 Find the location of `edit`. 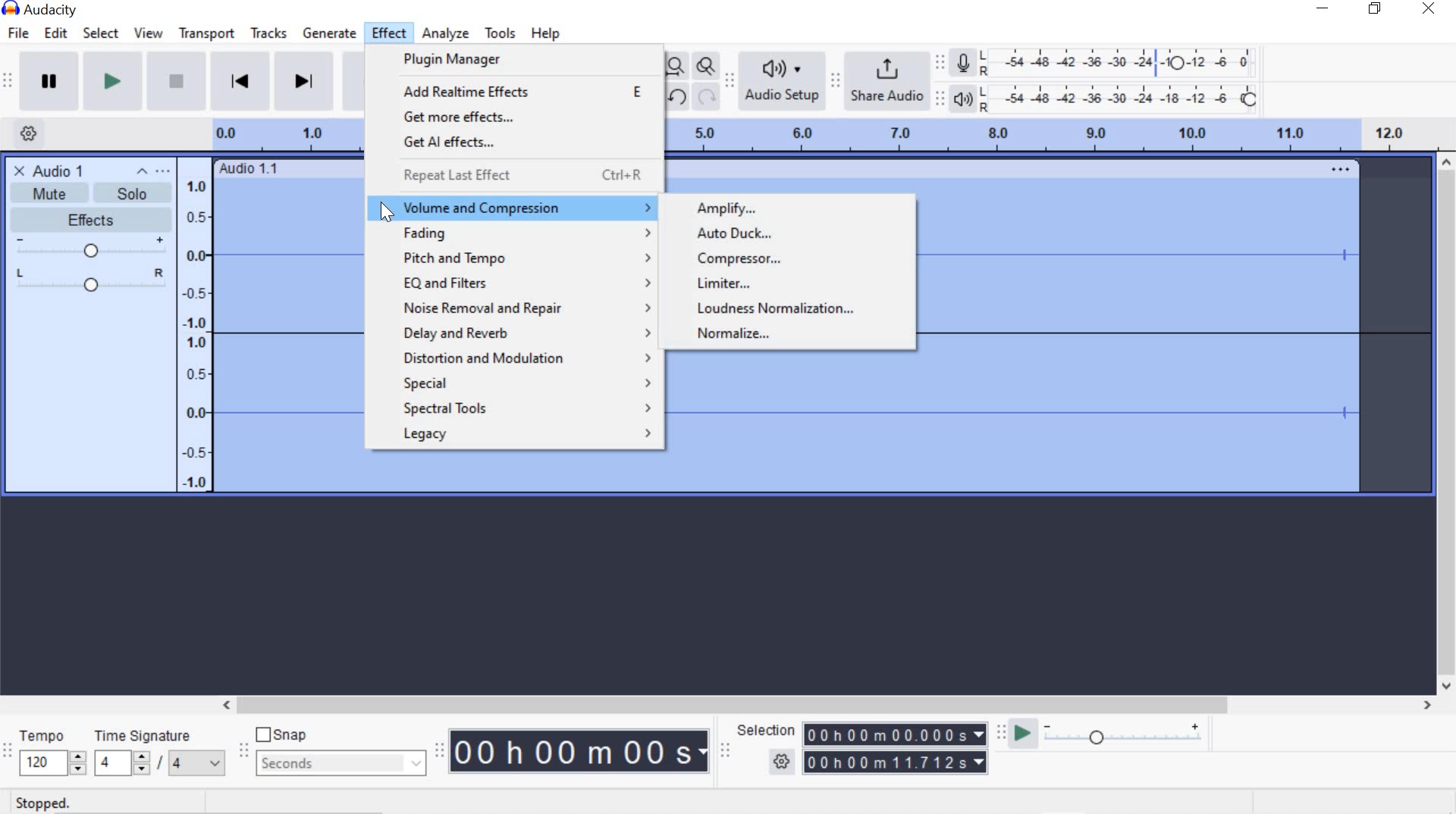

edit is located at coordinates (55, 33).